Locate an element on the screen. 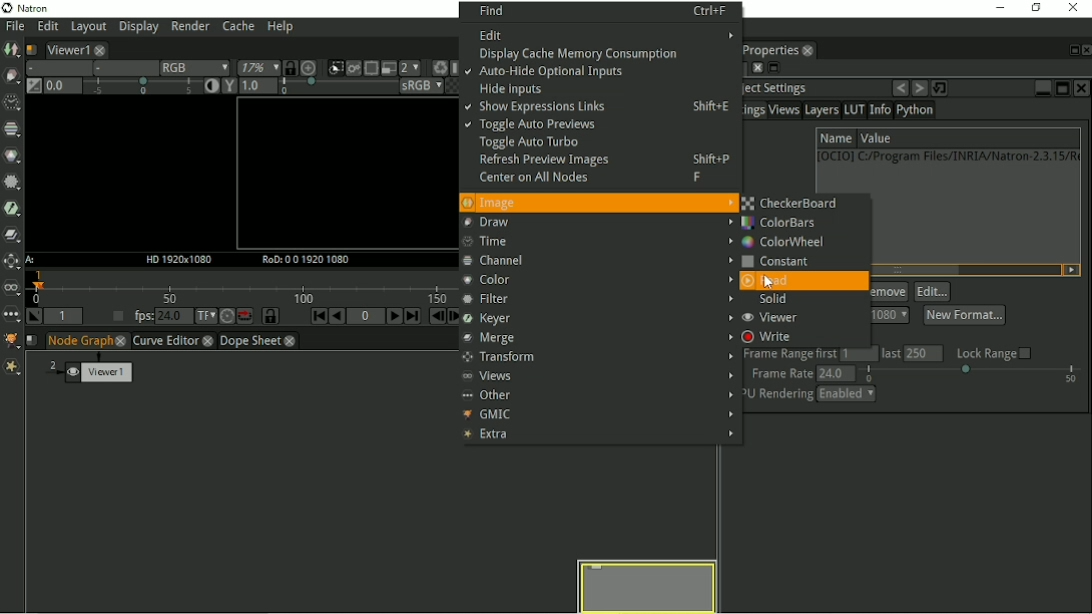 The height and width of the screenshot is (614, 1092). Solid is located at coordinates (779, 299).